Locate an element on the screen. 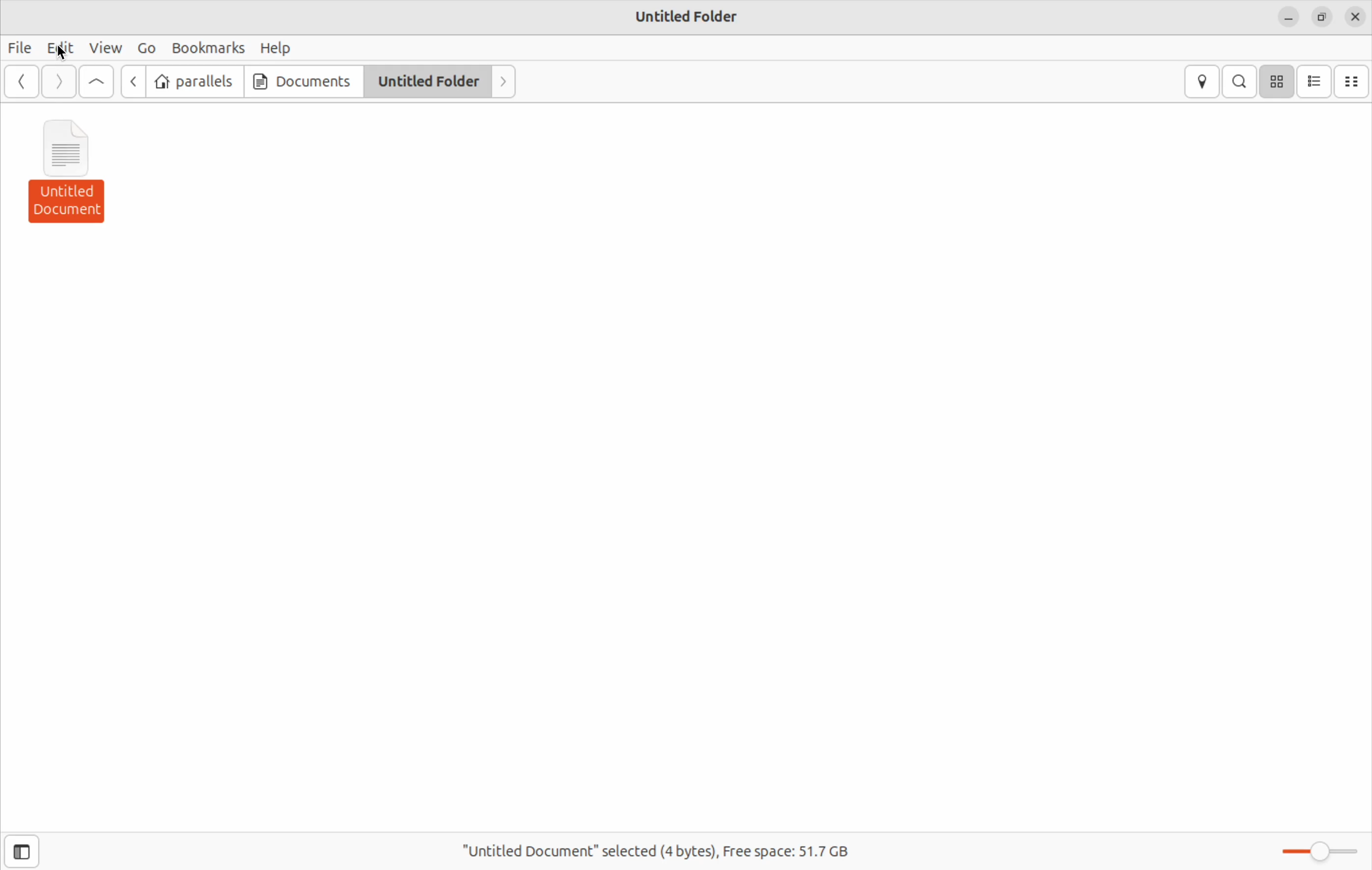  copy is located at coordinates (1322, 19).